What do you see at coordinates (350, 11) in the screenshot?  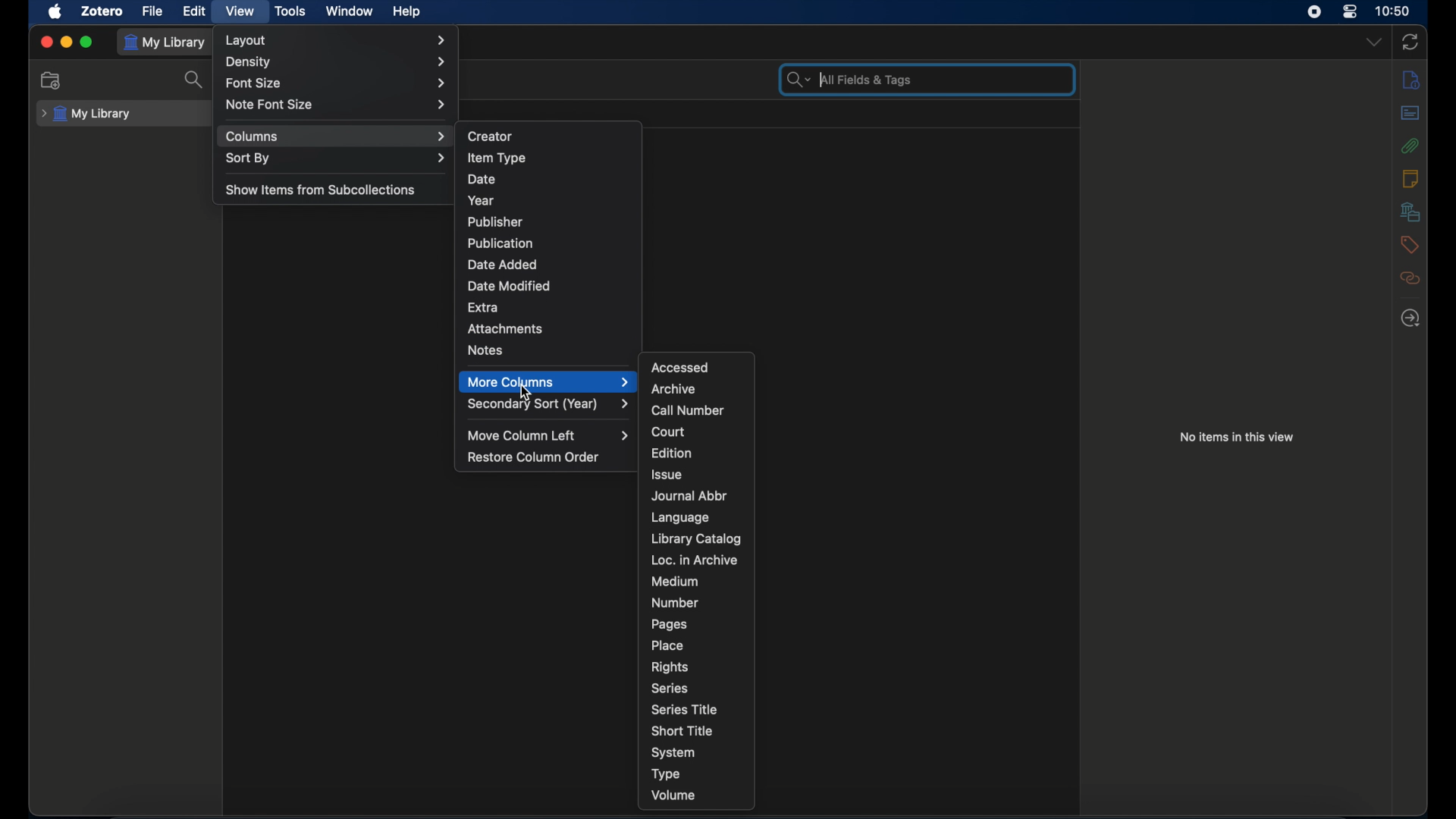 I see `window` at bounding box center [350, 11].